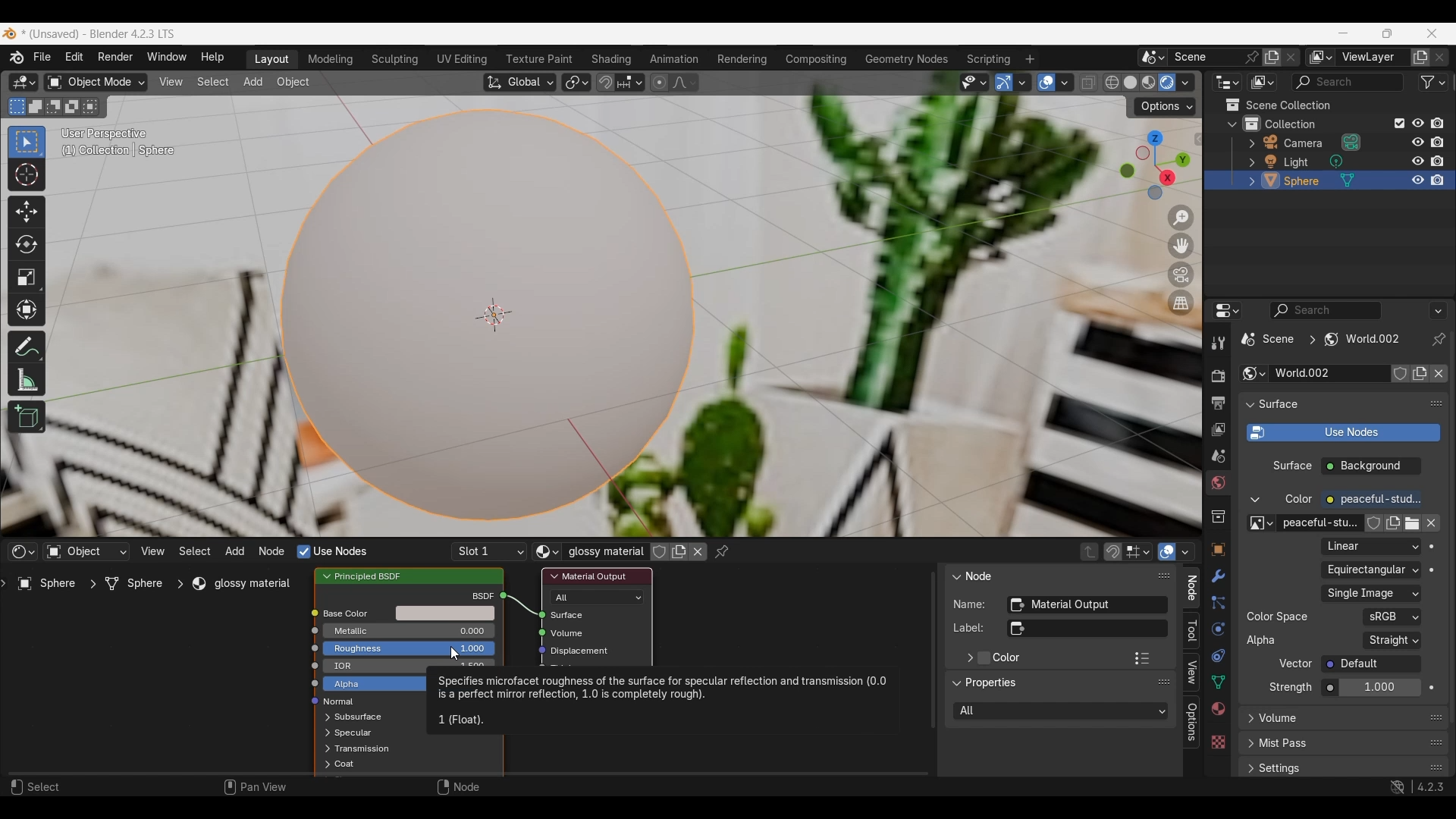 The height and width of the screenshot is (819, 1456). Describe the element at coordinates (981, 575) in the screenshot. I see `Node` at that location.